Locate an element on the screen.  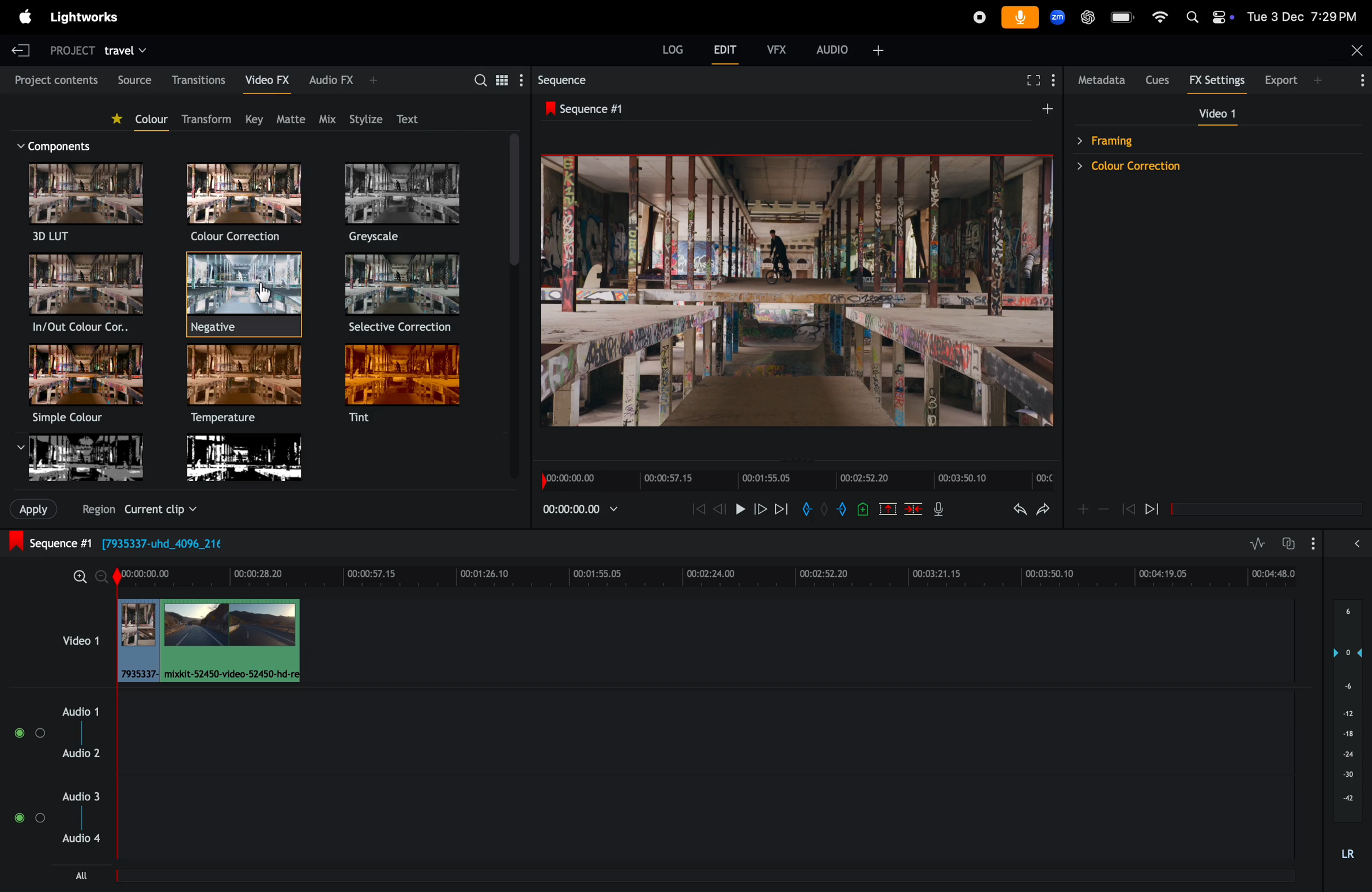
In/out color correction is located at coordinates (84, 295).